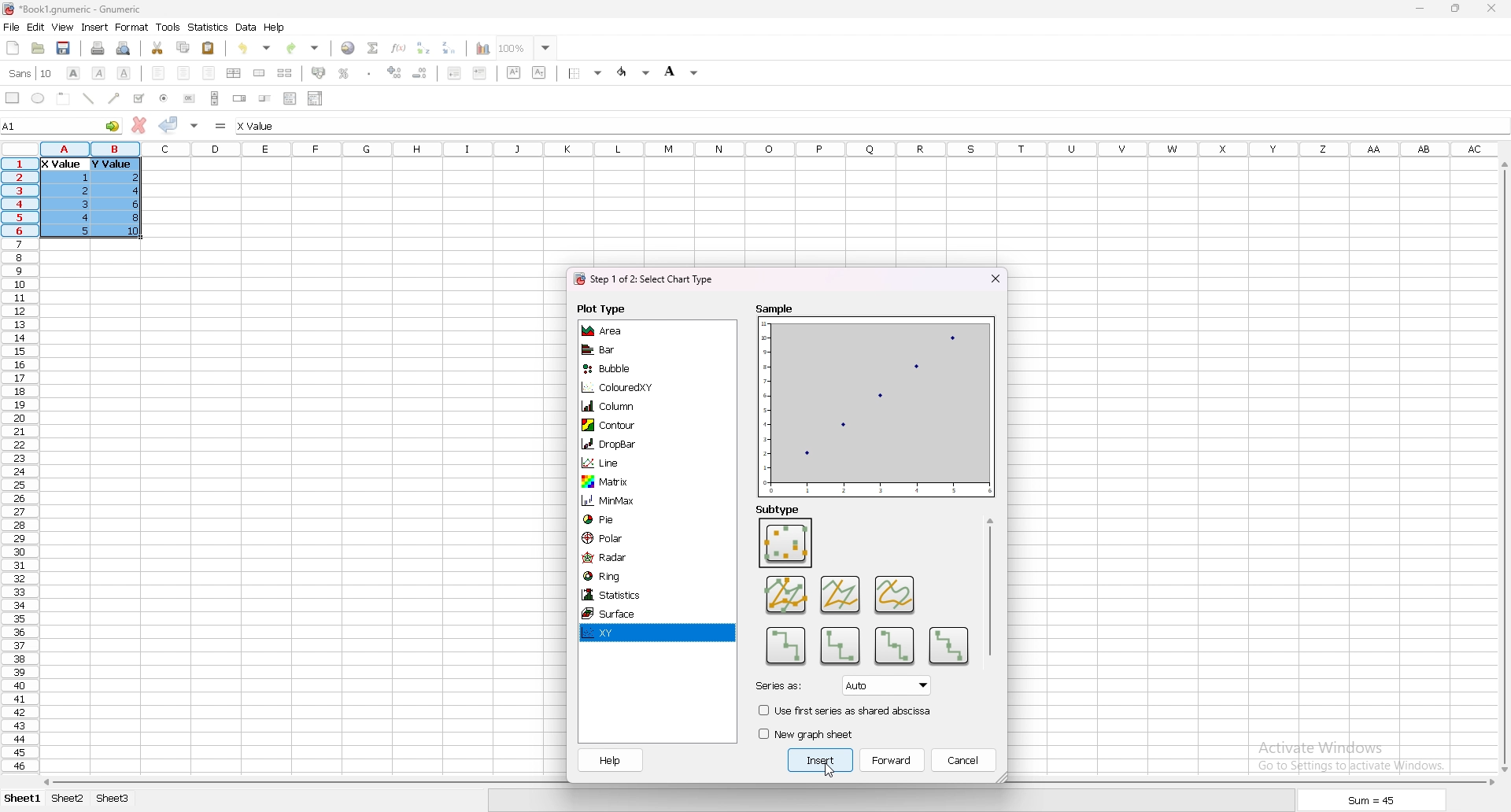 The width and height of the screenshot is (1511, 812). I want to click on subtype, so click(838, 646).